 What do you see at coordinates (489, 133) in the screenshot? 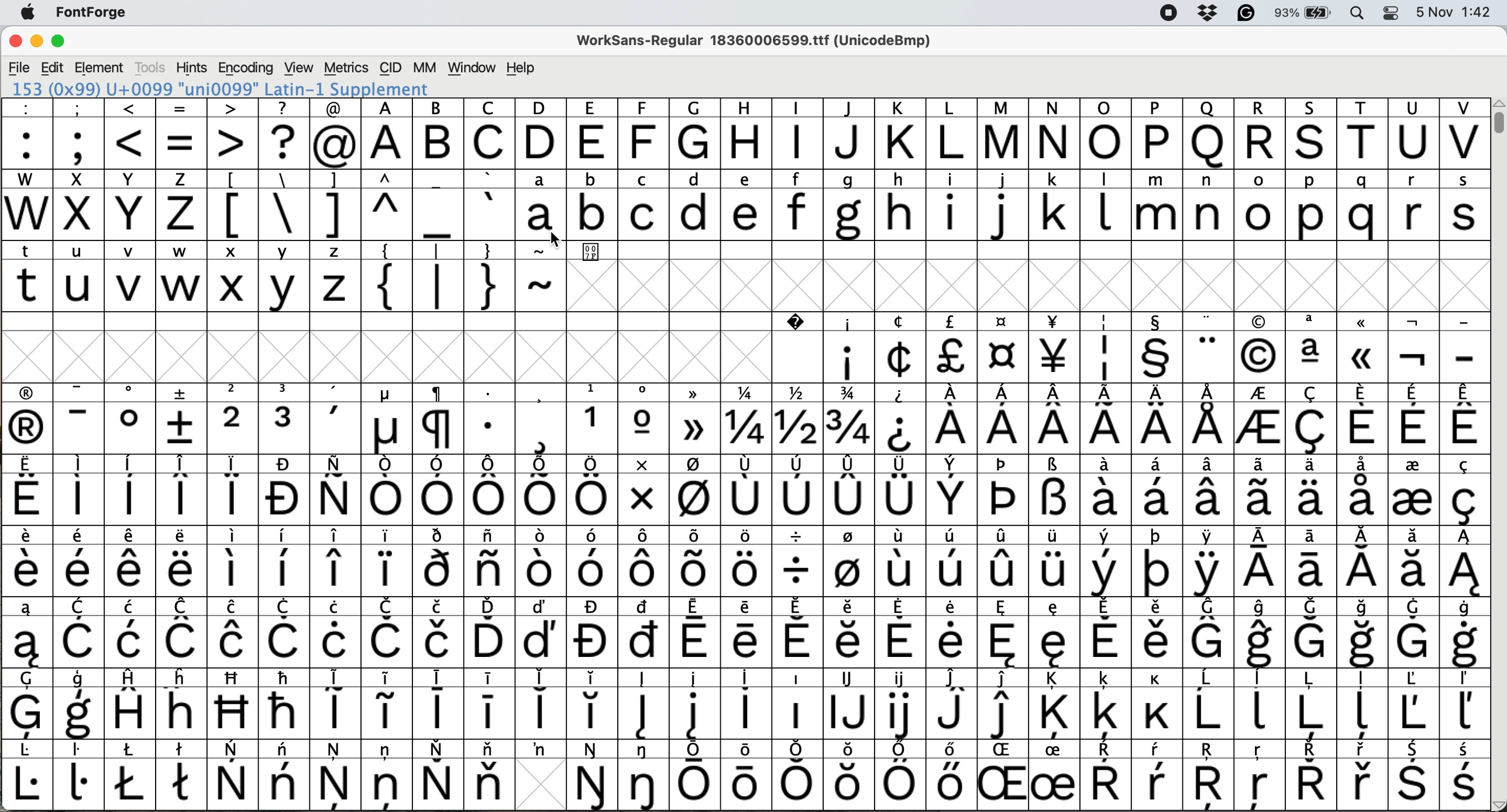
I see `C` at bounding box center [489, 133].